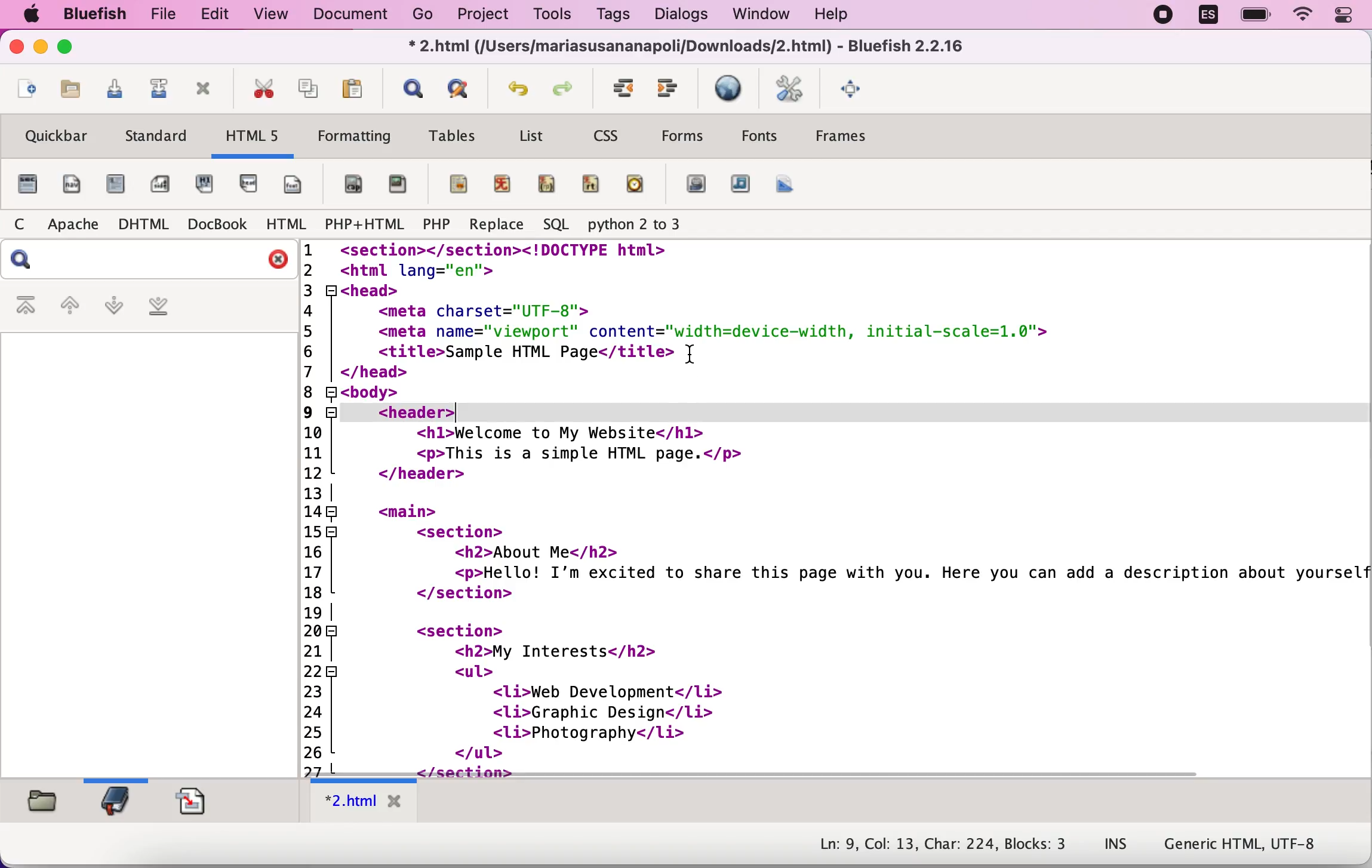 The height and width of the screenshot is (868, 1372). Describe the element at coordinates (1210, 14) in the screenshot. I see `language` at that location.